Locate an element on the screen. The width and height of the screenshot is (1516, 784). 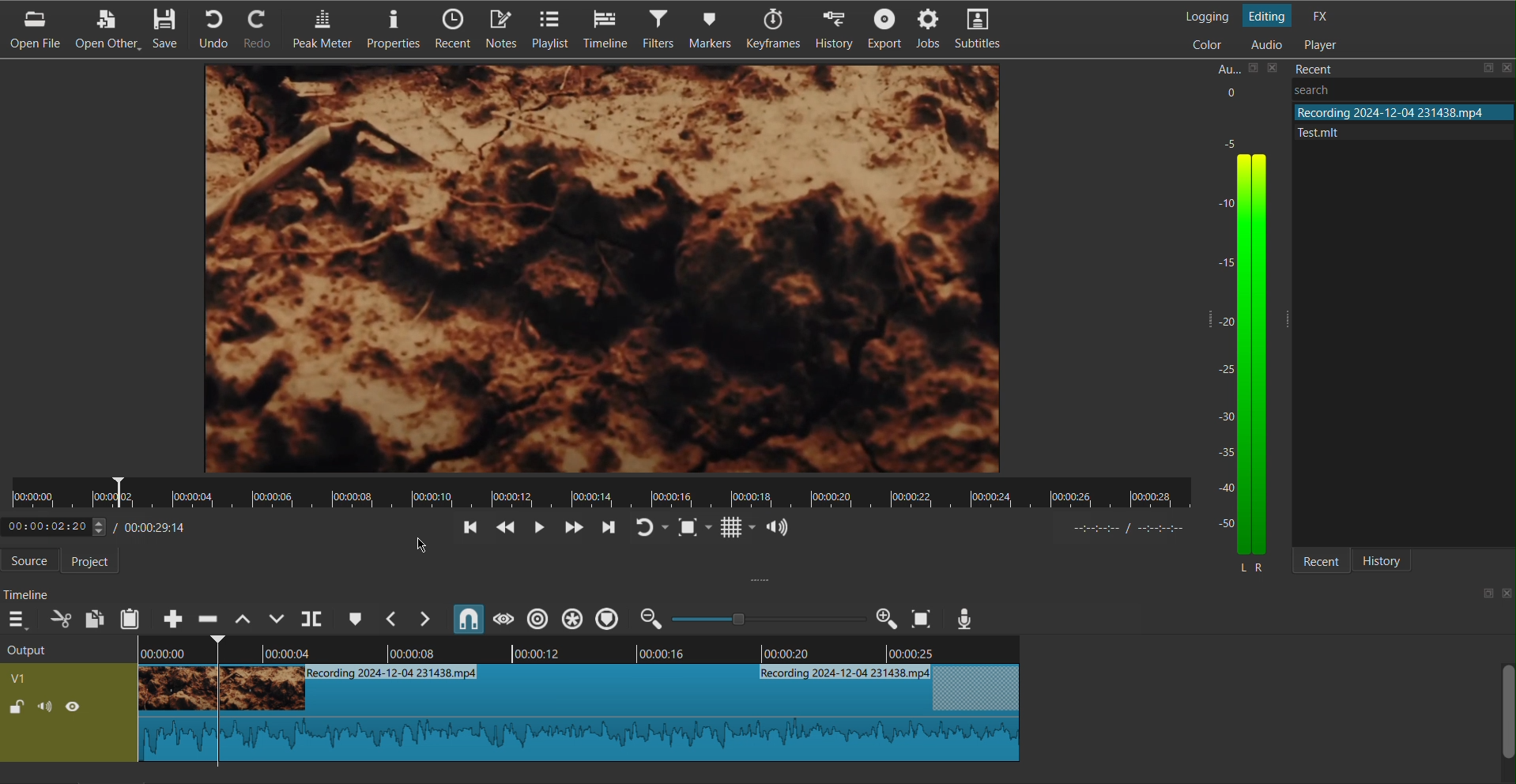
Skip Back is located at coordinates (507, 529).